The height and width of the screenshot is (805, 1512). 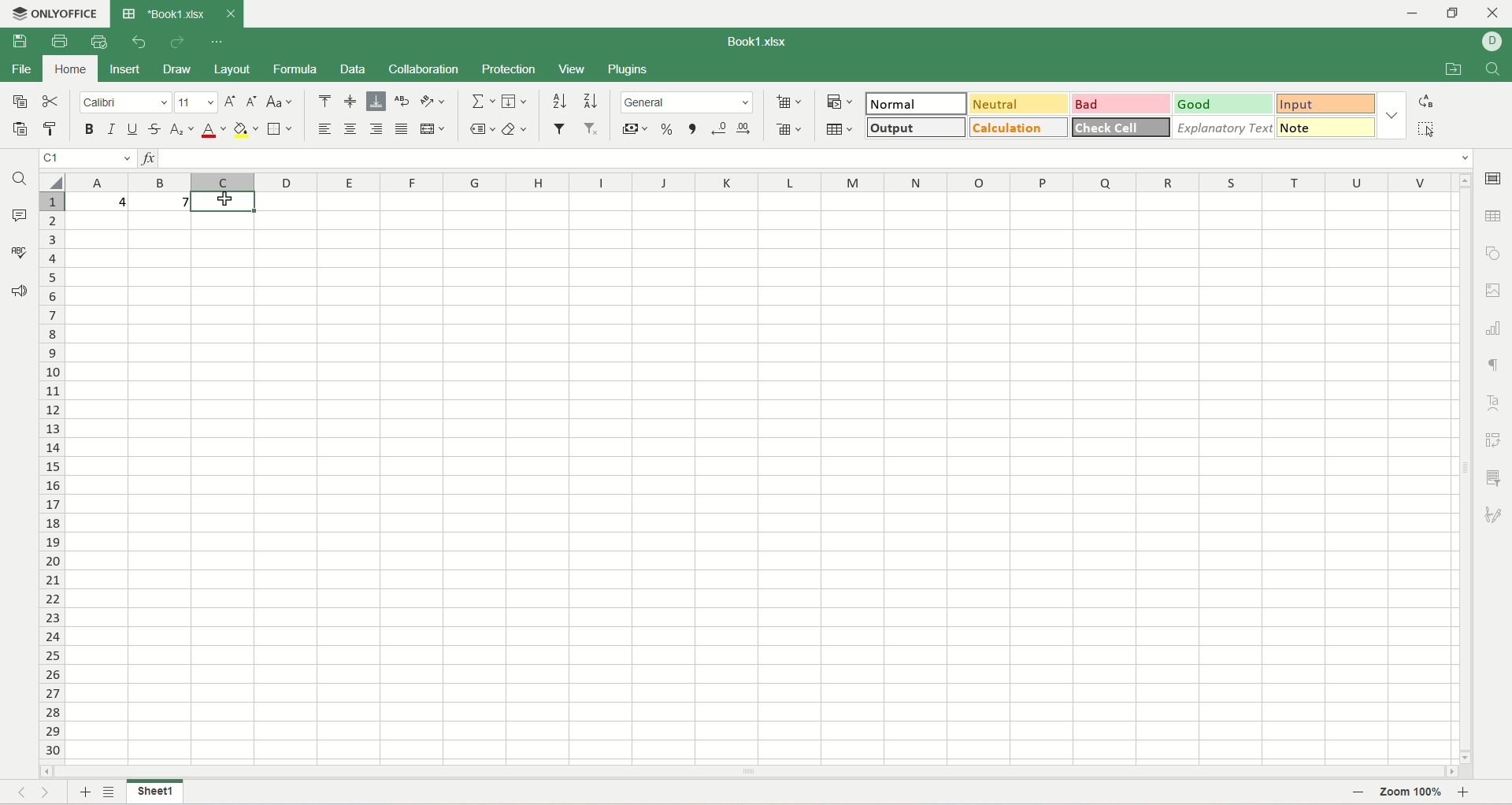 I want to click on normal, so click(x=916, y=103).